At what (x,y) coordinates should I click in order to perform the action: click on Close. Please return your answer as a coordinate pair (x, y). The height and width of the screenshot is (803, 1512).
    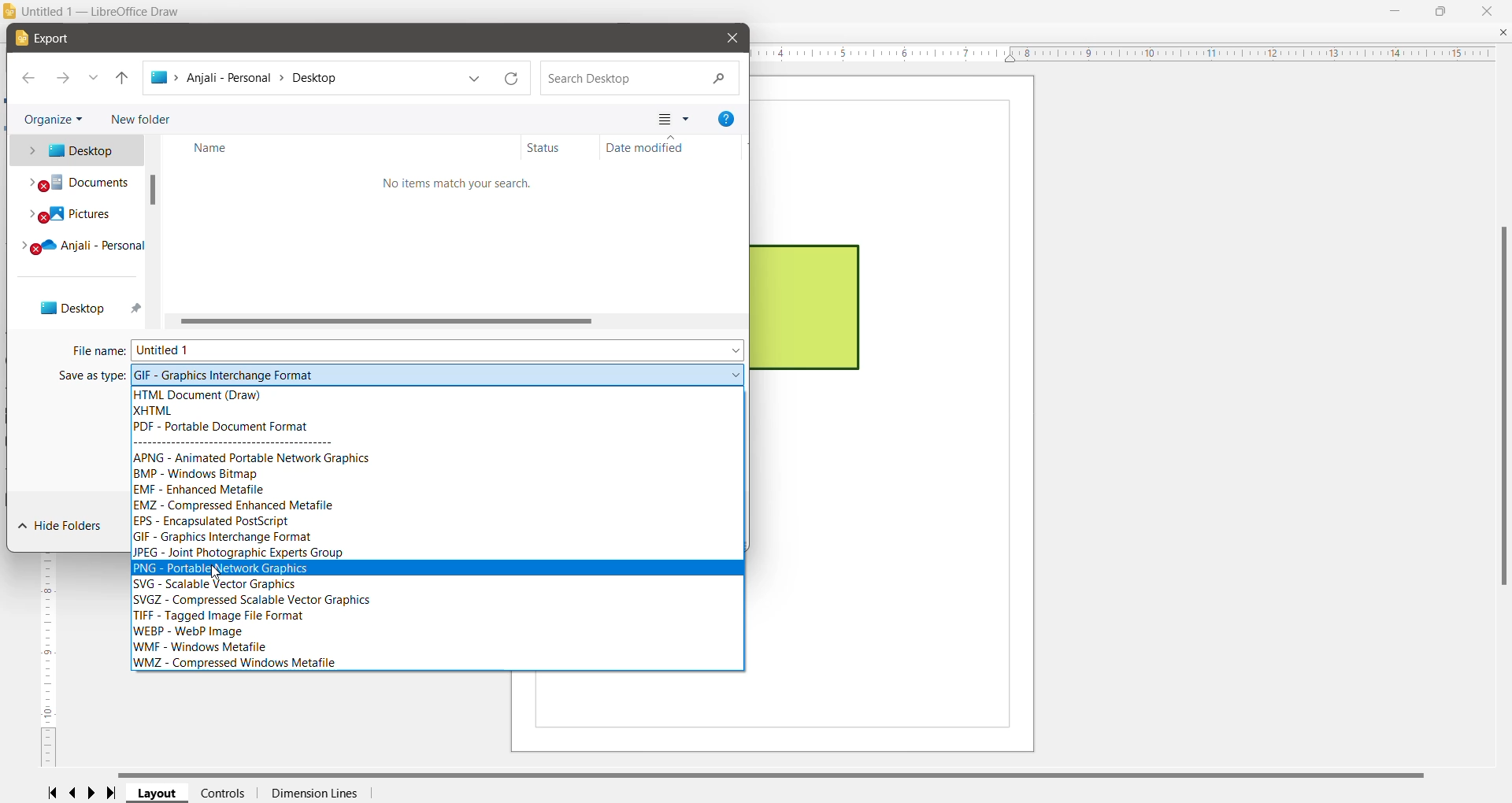
    Looking at the image, I should click on (732, 38).